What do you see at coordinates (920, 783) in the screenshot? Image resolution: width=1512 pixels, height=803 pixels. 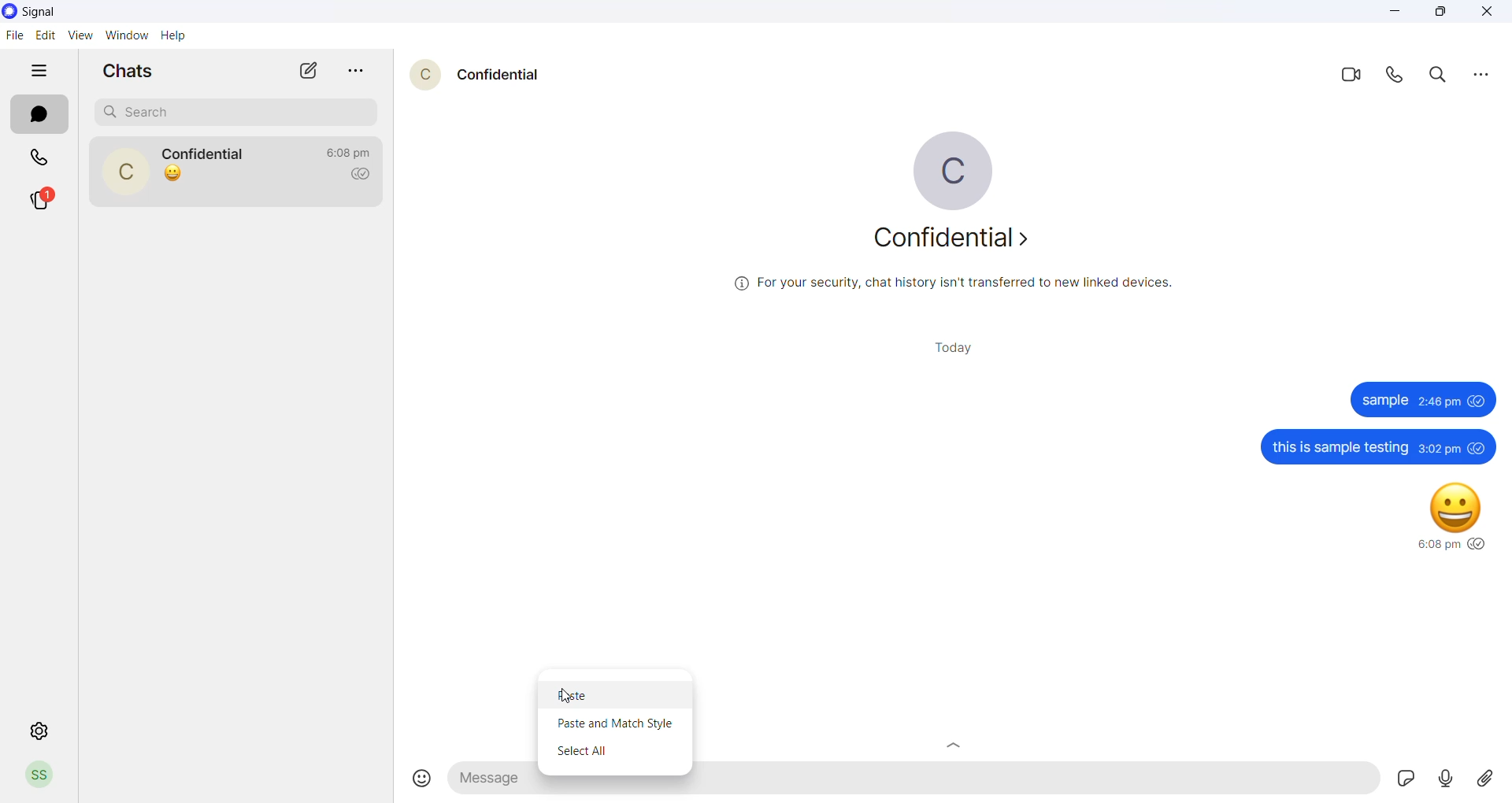 I see `message text area` at bounding box center [920, 783].